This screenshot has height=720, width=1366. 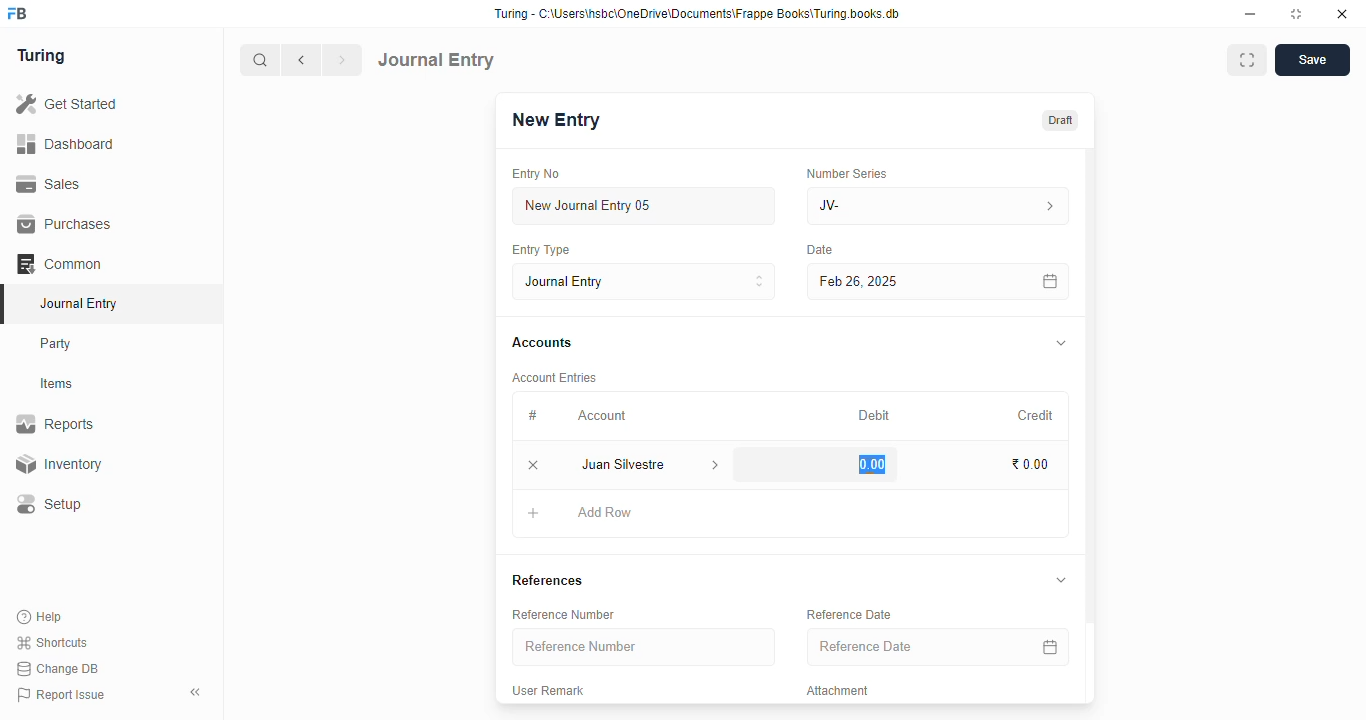 What do you see at coordinates (56, 424) in the screenshot?
I see `reports` at bounding box center [56, 424].